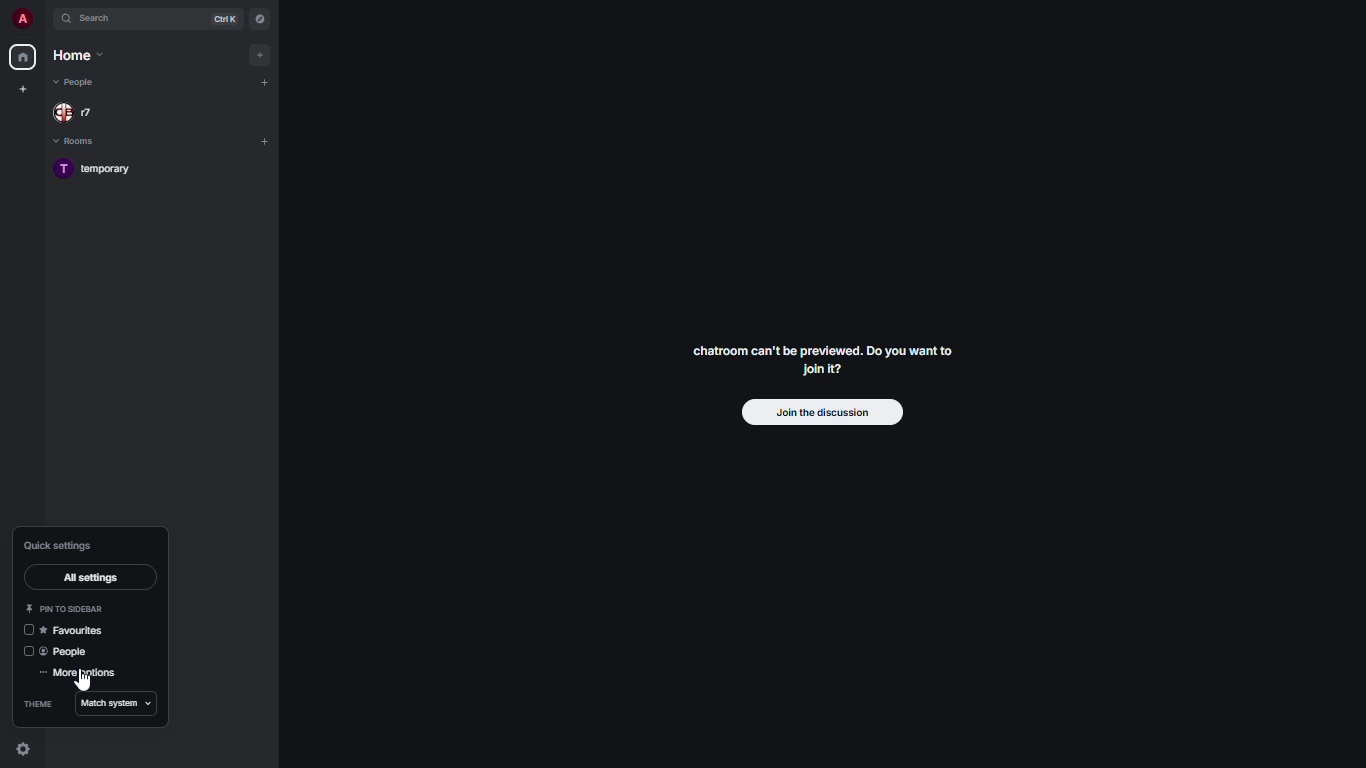 This screenshot has height=768, width=1366. I want to click on quick settings, so click(56, 544).